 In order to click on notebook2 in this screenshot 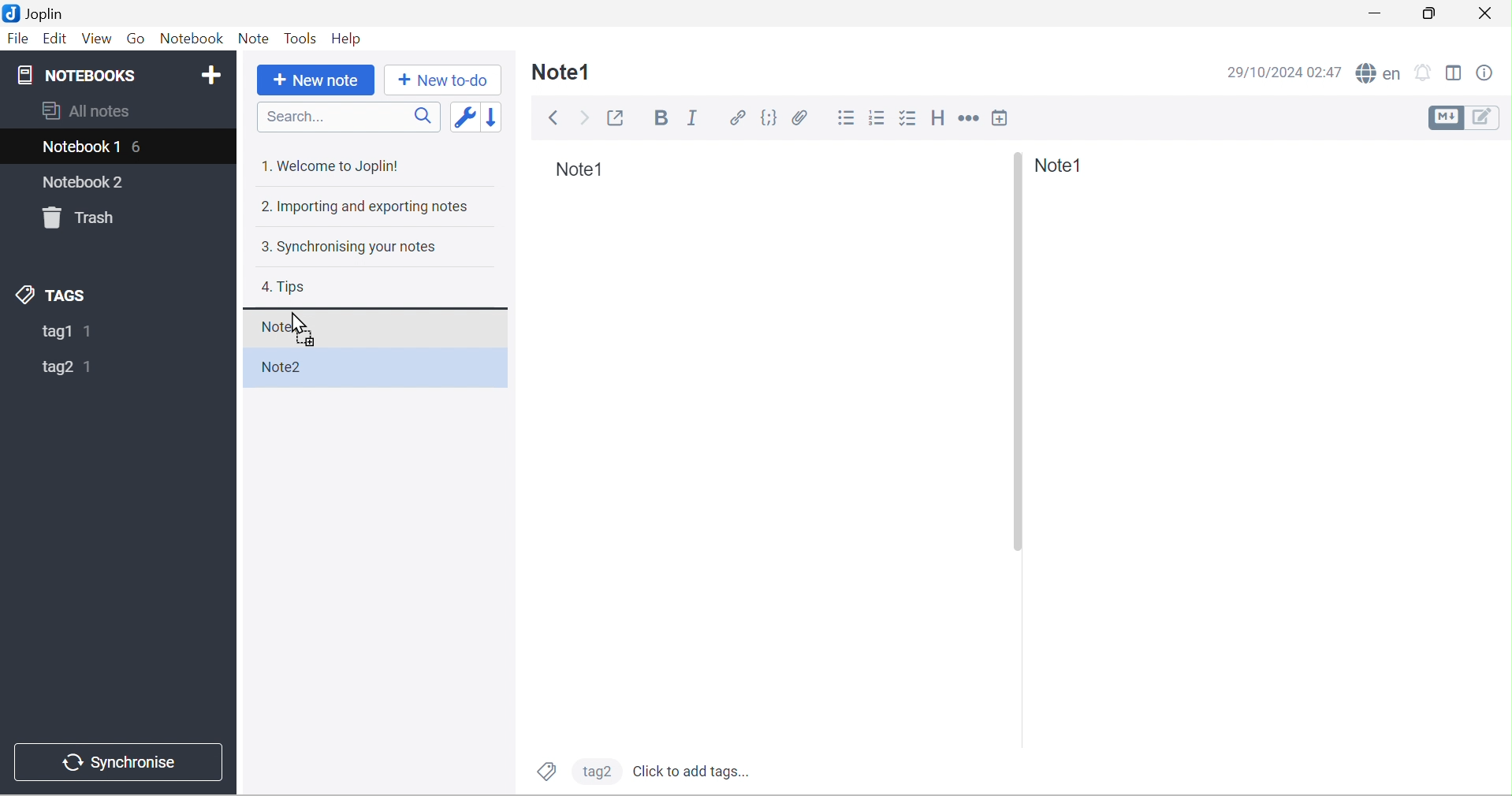, I will do `click(77, 182)`.